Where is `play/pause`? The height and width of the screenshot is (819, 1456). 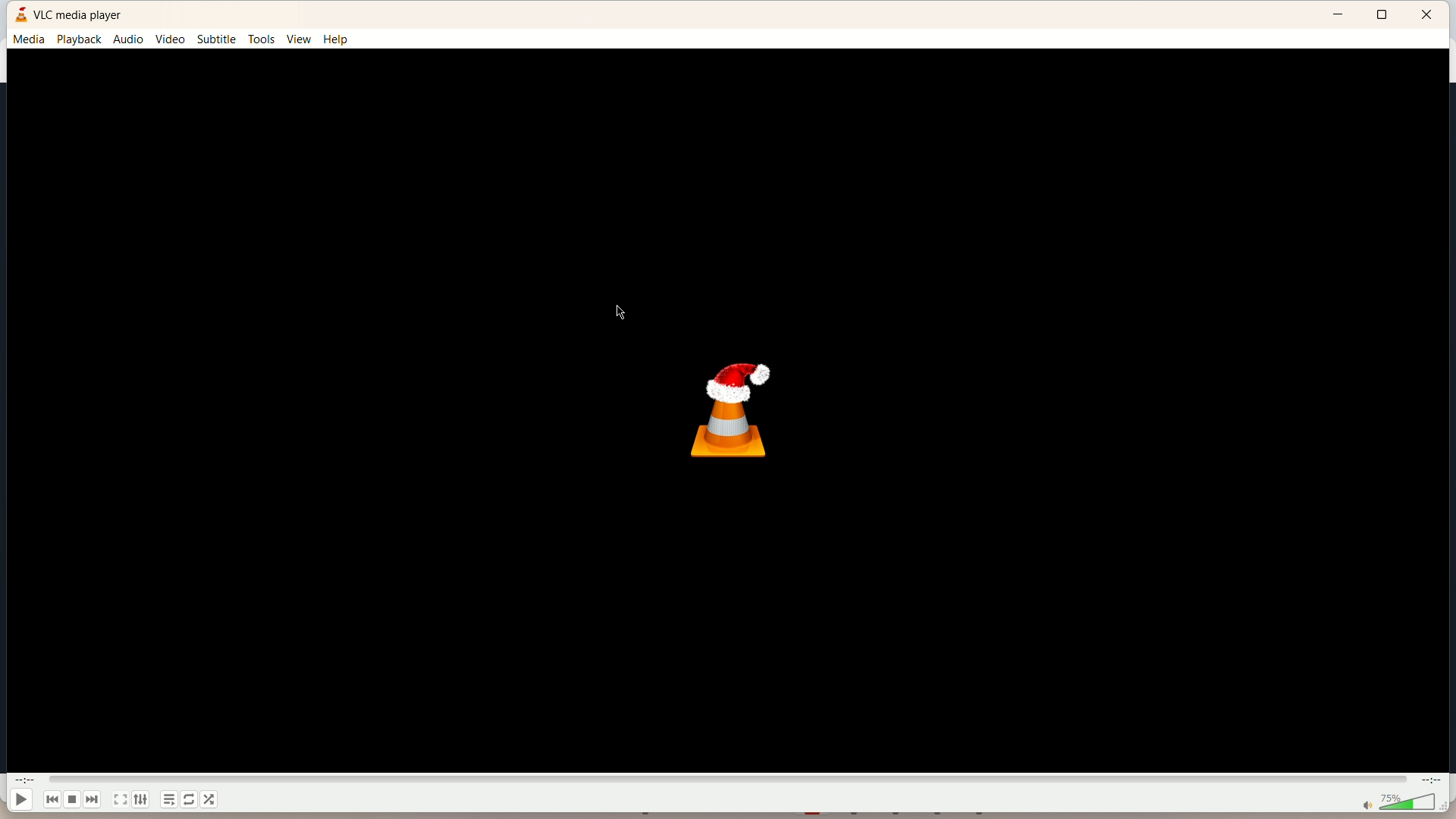
play/pause is located at coordinates (71, 799).